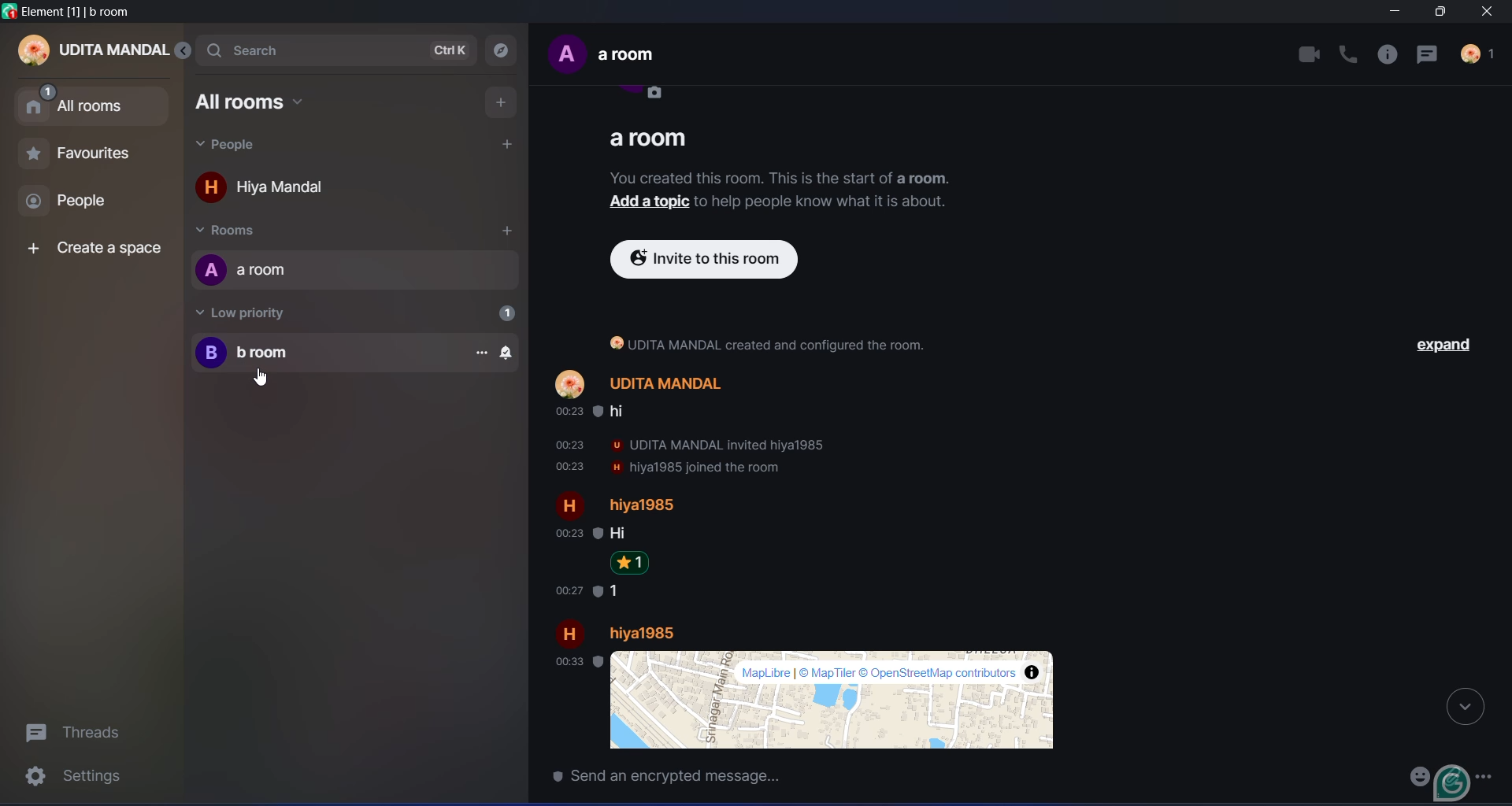 This screenshot has height=806, width=1512. I want to click on A a room, so click(258, 270).